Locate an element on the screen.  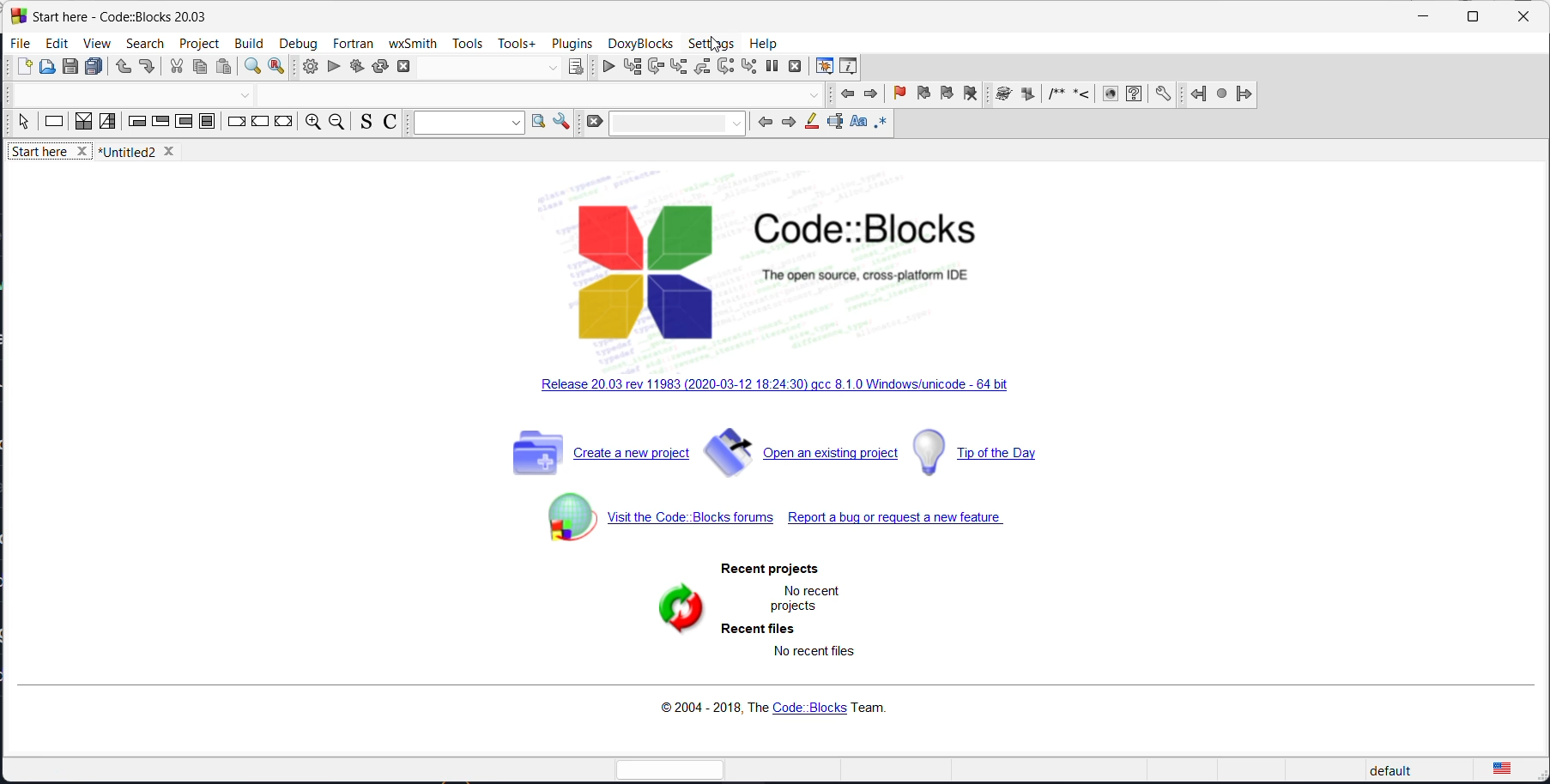
text select is located at coordinates (833, 126).